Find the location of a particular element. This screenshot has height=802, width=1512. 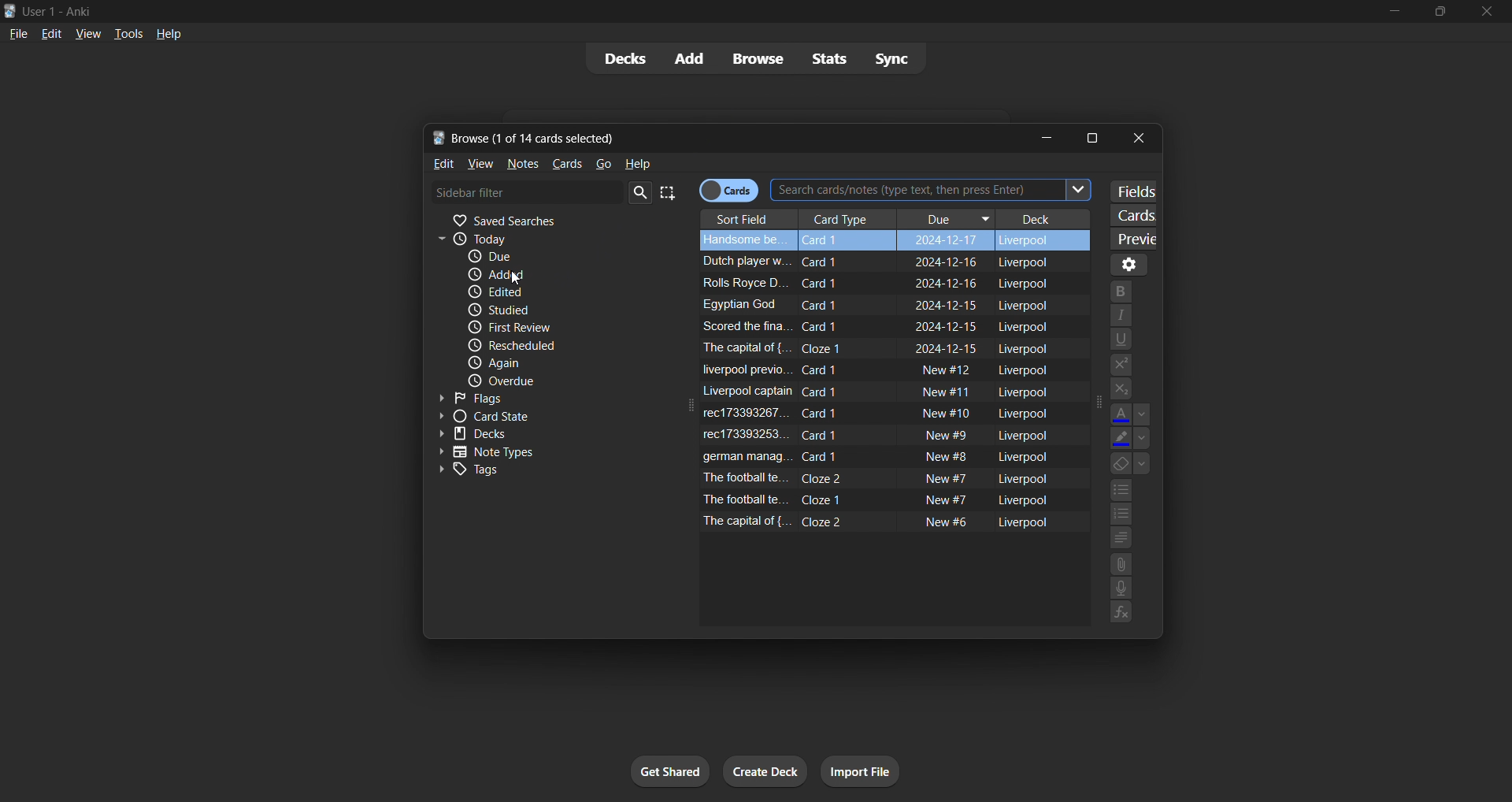

go is located at coordinates (603, 164).